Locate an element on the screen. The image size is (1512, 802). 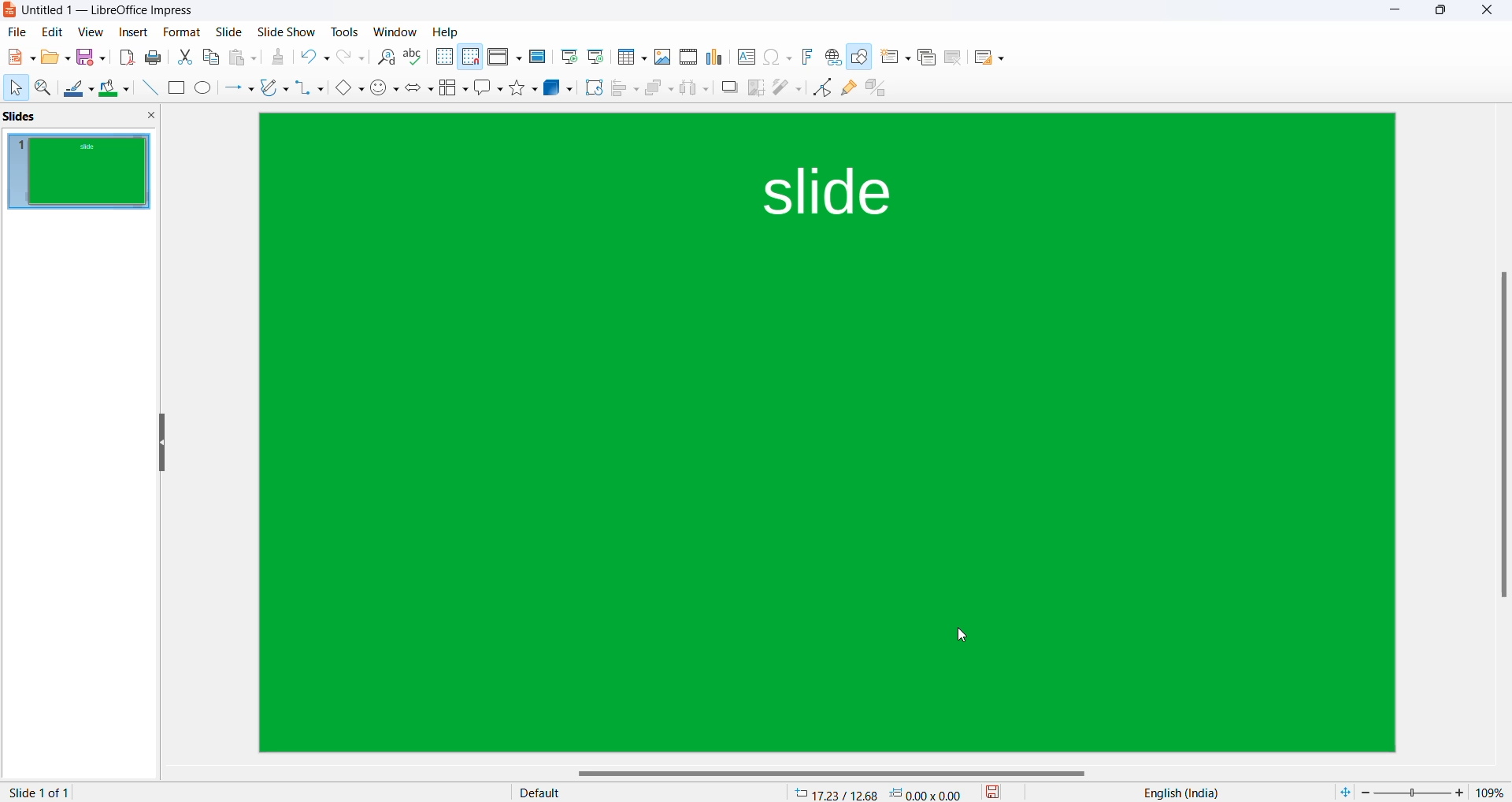
insert image is located at coordinates (663, 56).